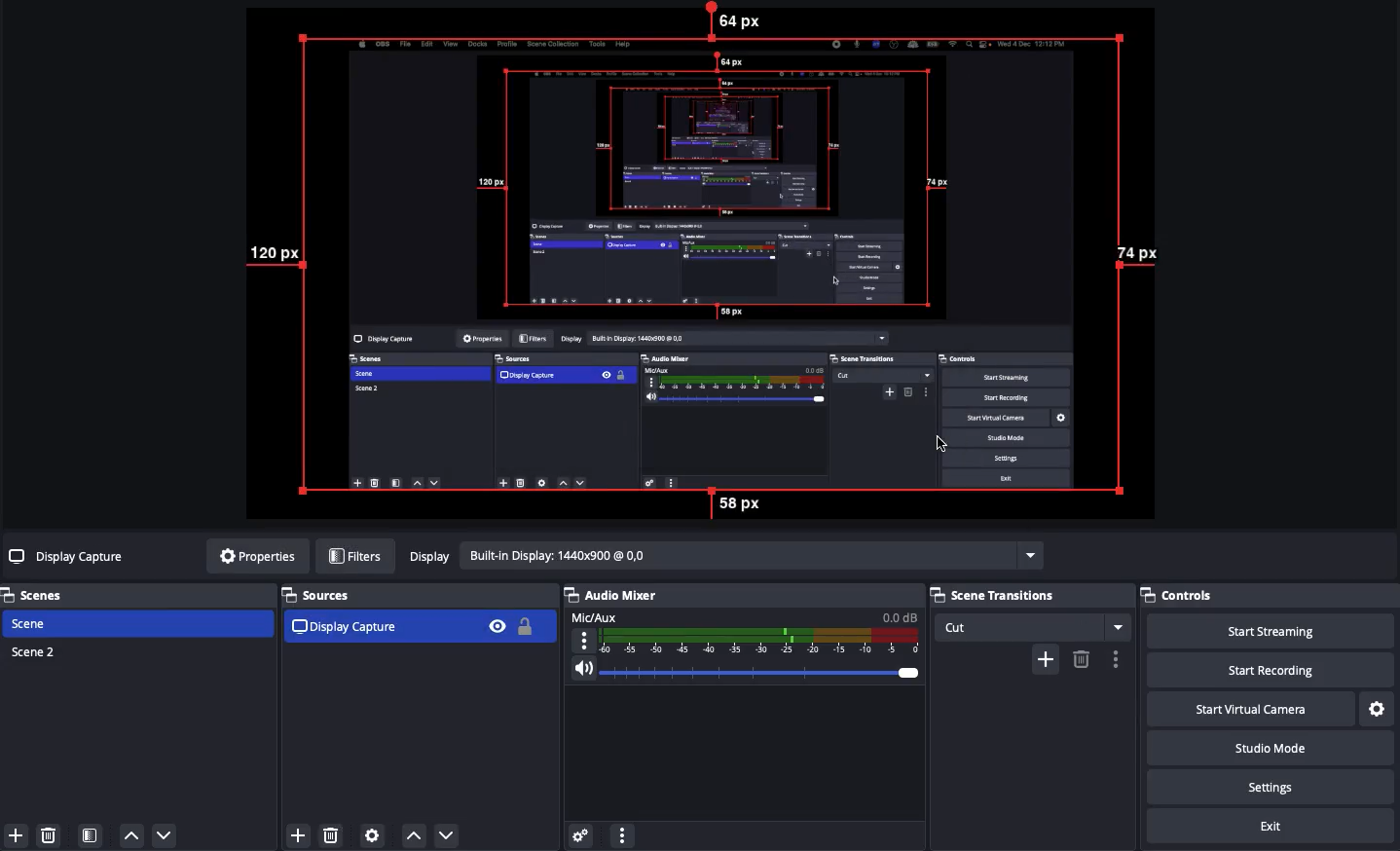 The image size is (1400, 851). What do you see at coordinates (1030, 611) in the screenshot?
I see `Scene transitions` at bounding box center [1030, 611].